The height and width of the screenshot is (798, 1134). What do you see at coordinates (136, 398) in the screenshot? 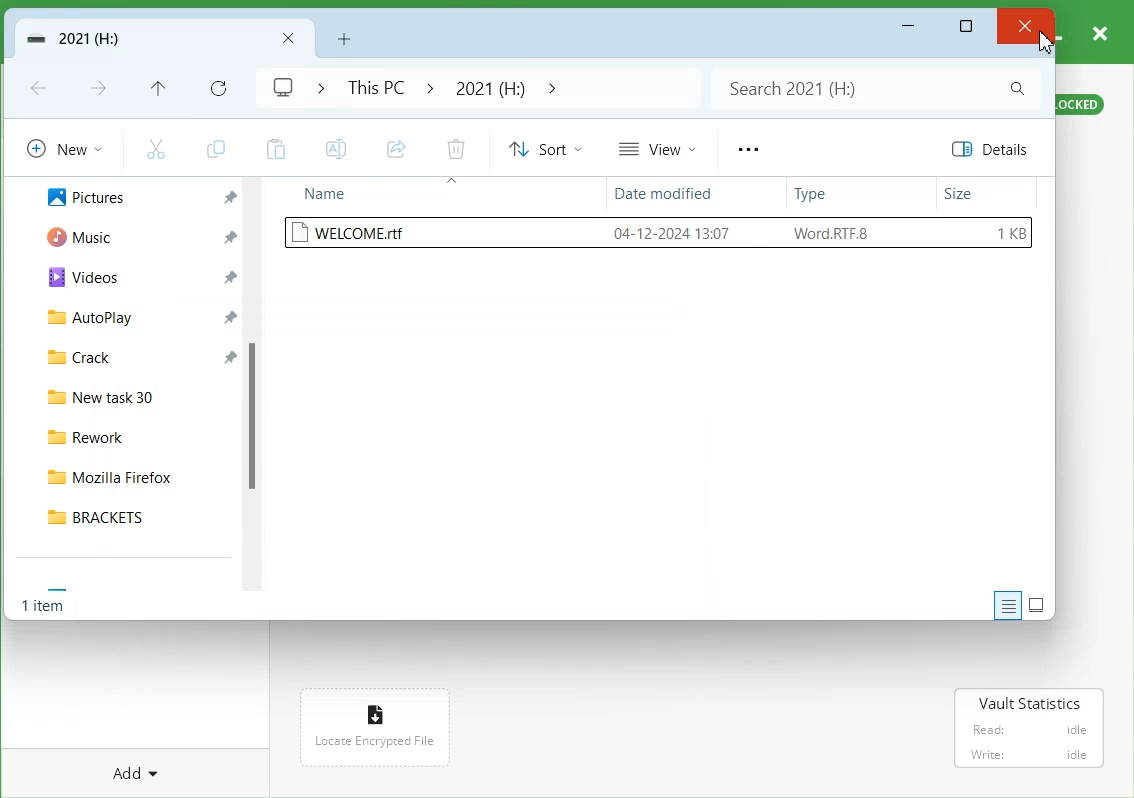
I see `New task 30` at bounding box center [136, 398].